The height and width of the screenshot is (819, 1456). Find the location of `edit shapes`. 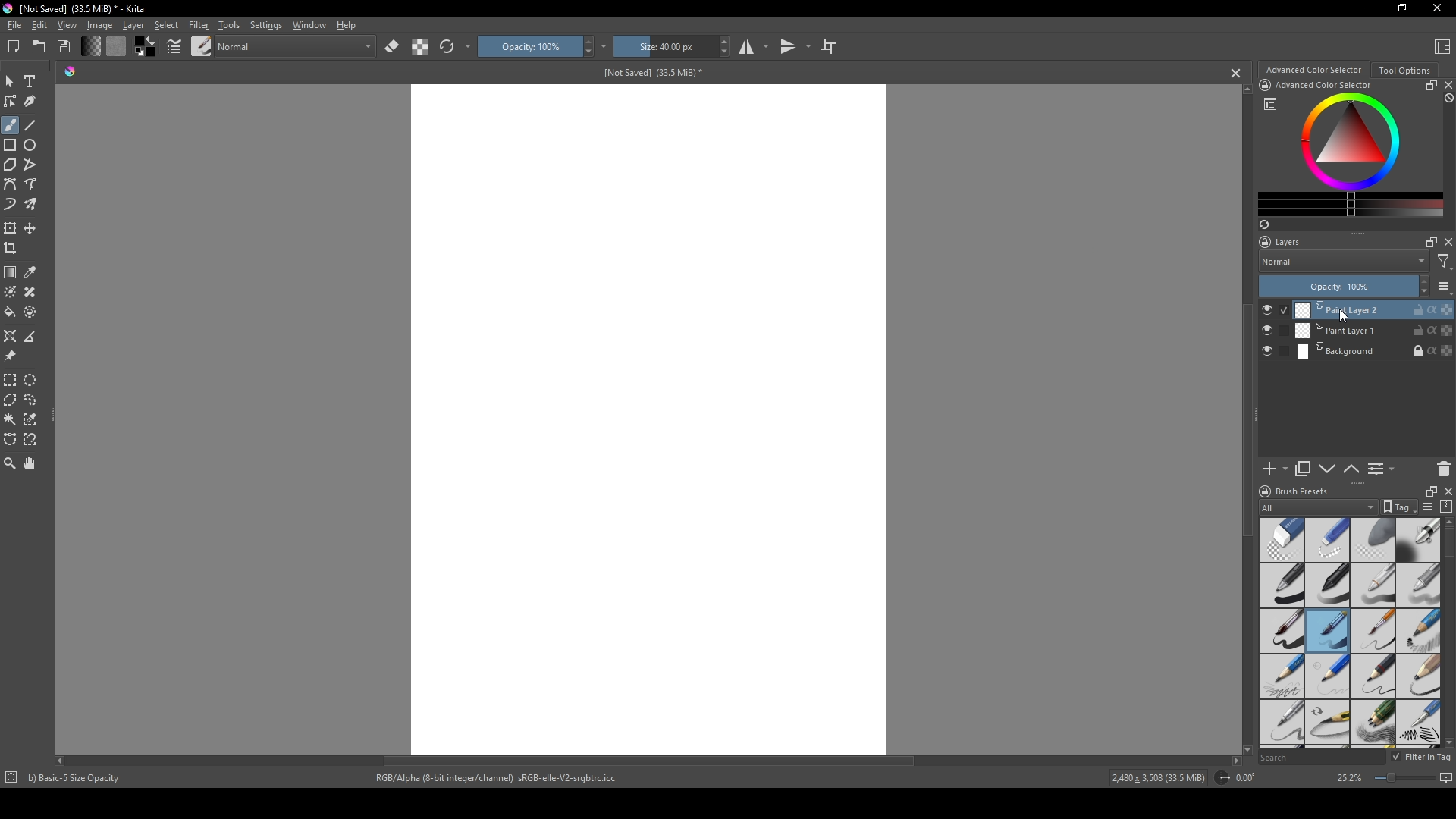

edit shapes is located at coordinates (11, 102).